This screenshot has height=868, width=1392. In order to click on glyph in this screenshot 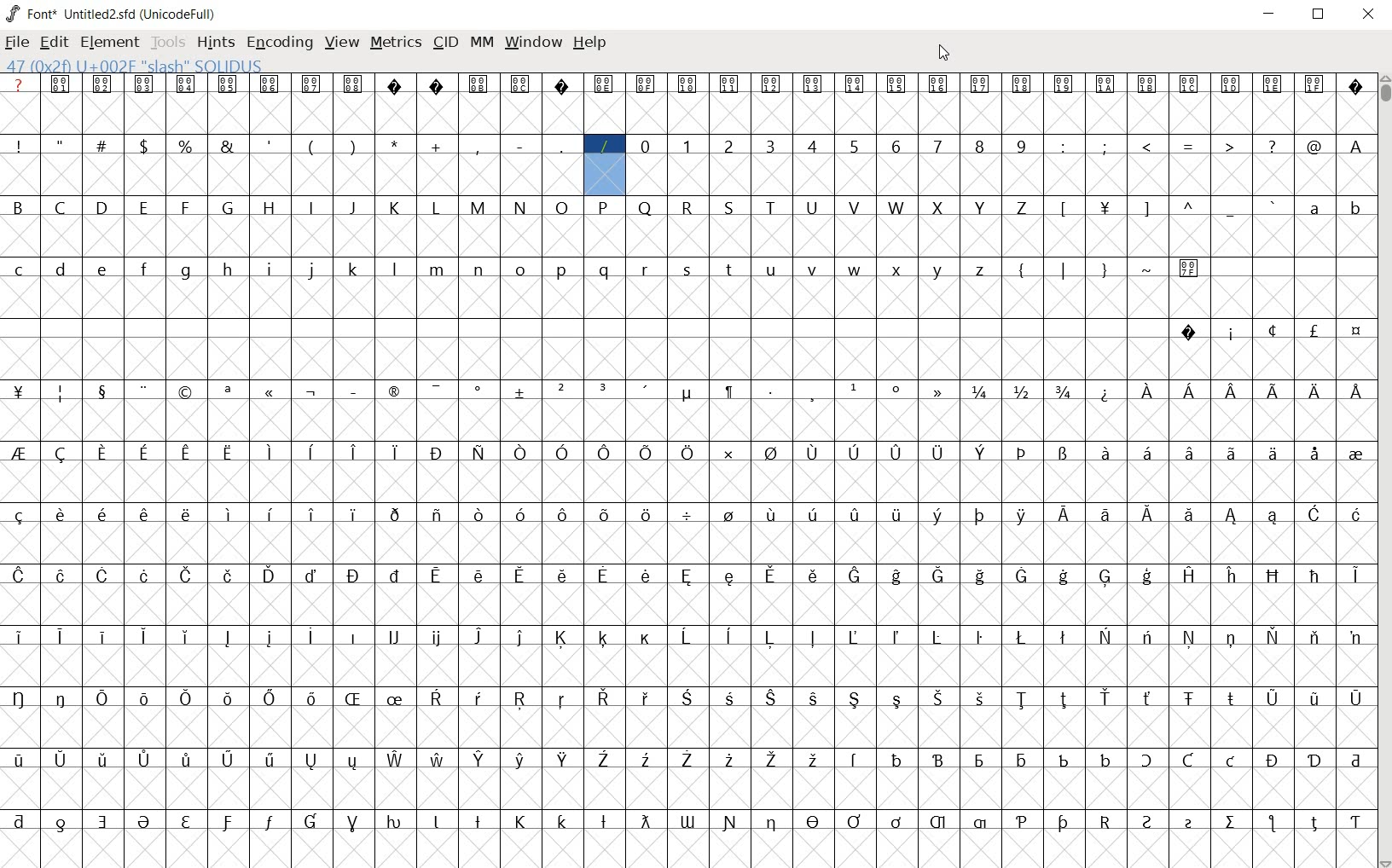, I will do `click(1145, 760)`.